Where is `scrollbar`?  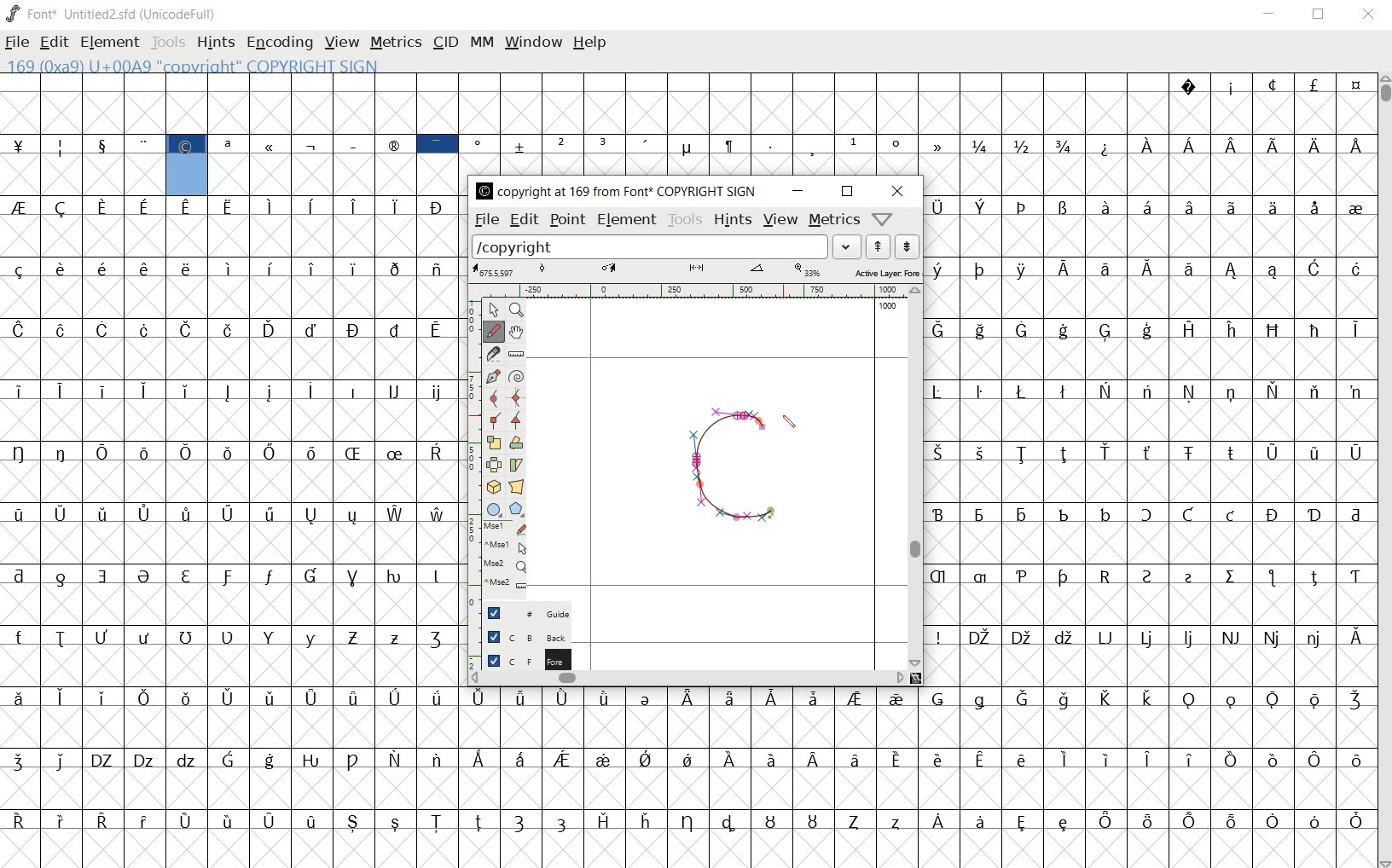 scrollbar is located at coordinates (915, 478).